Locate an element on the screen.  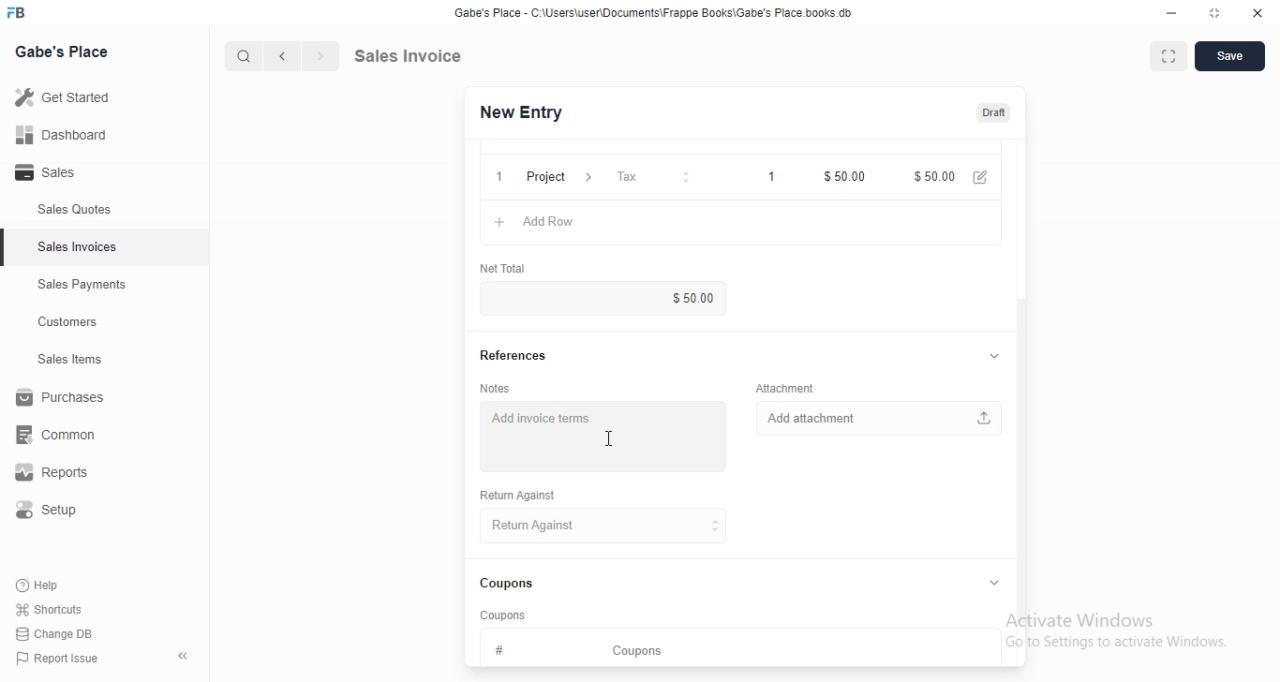
scroll bar is located at coordinates (1023, 456).